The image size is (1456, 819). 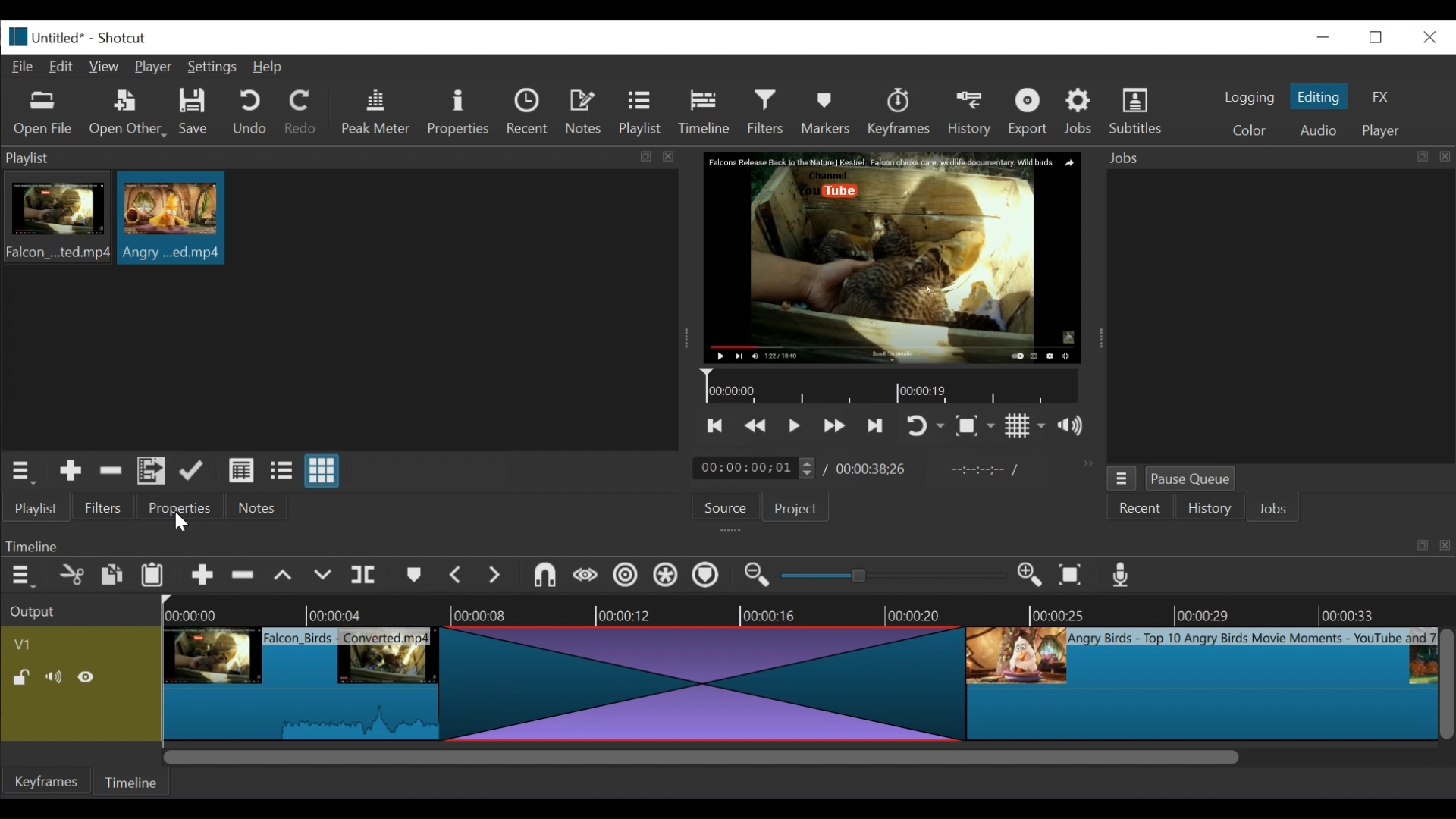 What do you see at coordinates (81, 644) in the screenshot?
I see `Video track` at bounding box center [81, 644].